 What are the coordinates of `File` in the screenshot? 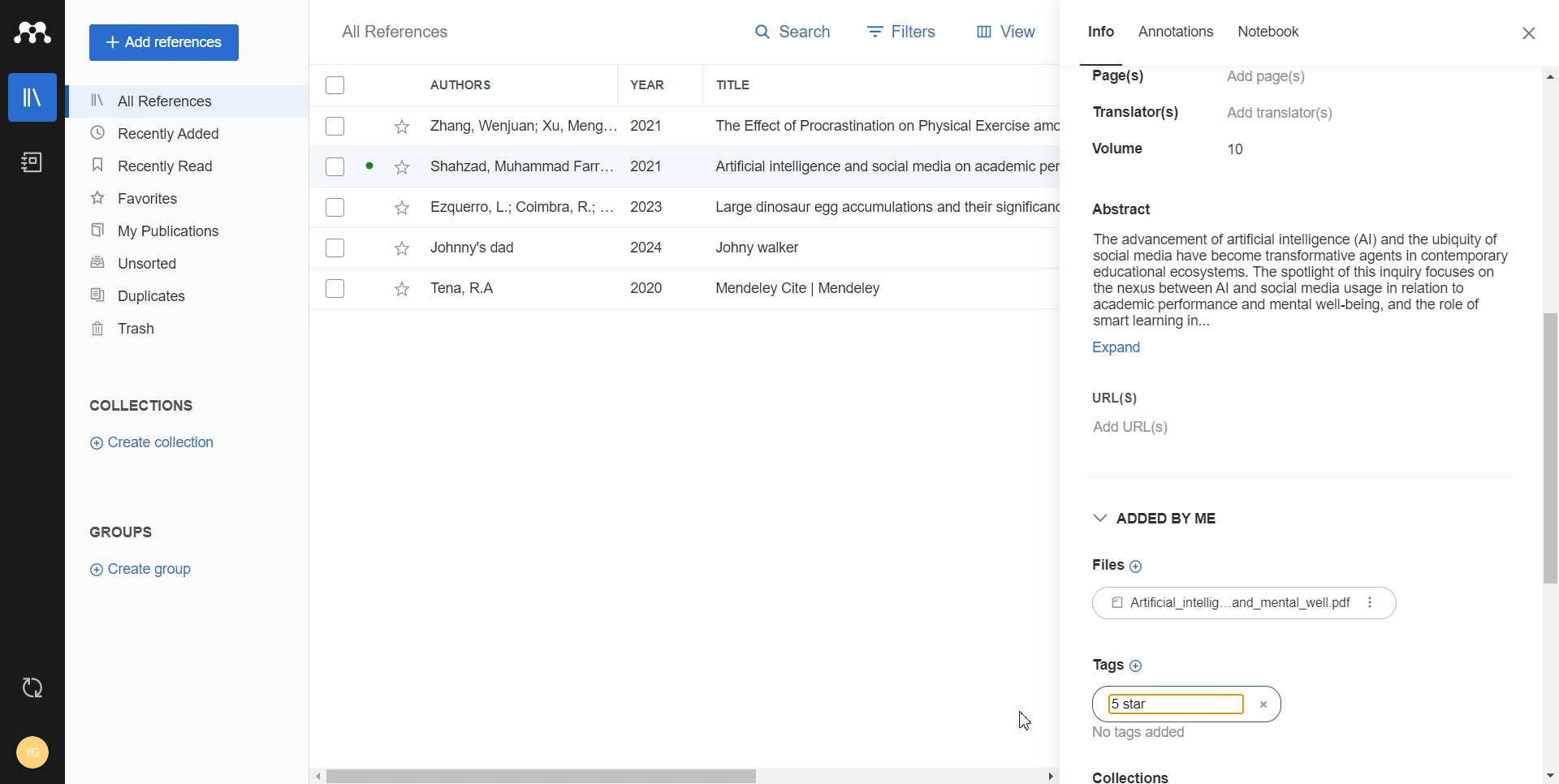 It's located at (1116, 566).